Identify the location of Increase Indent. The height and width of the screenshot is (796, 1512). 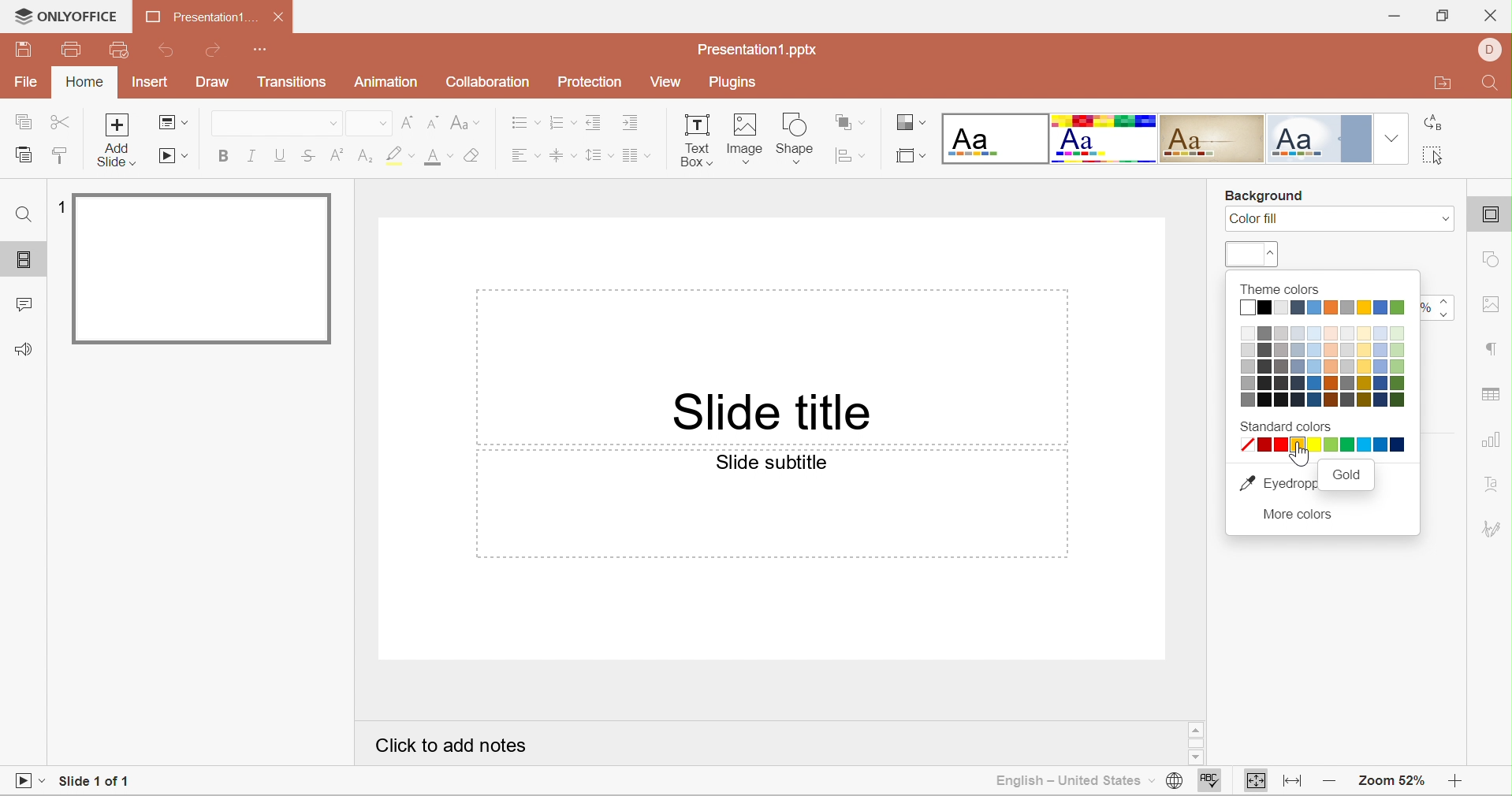
(631, 124).